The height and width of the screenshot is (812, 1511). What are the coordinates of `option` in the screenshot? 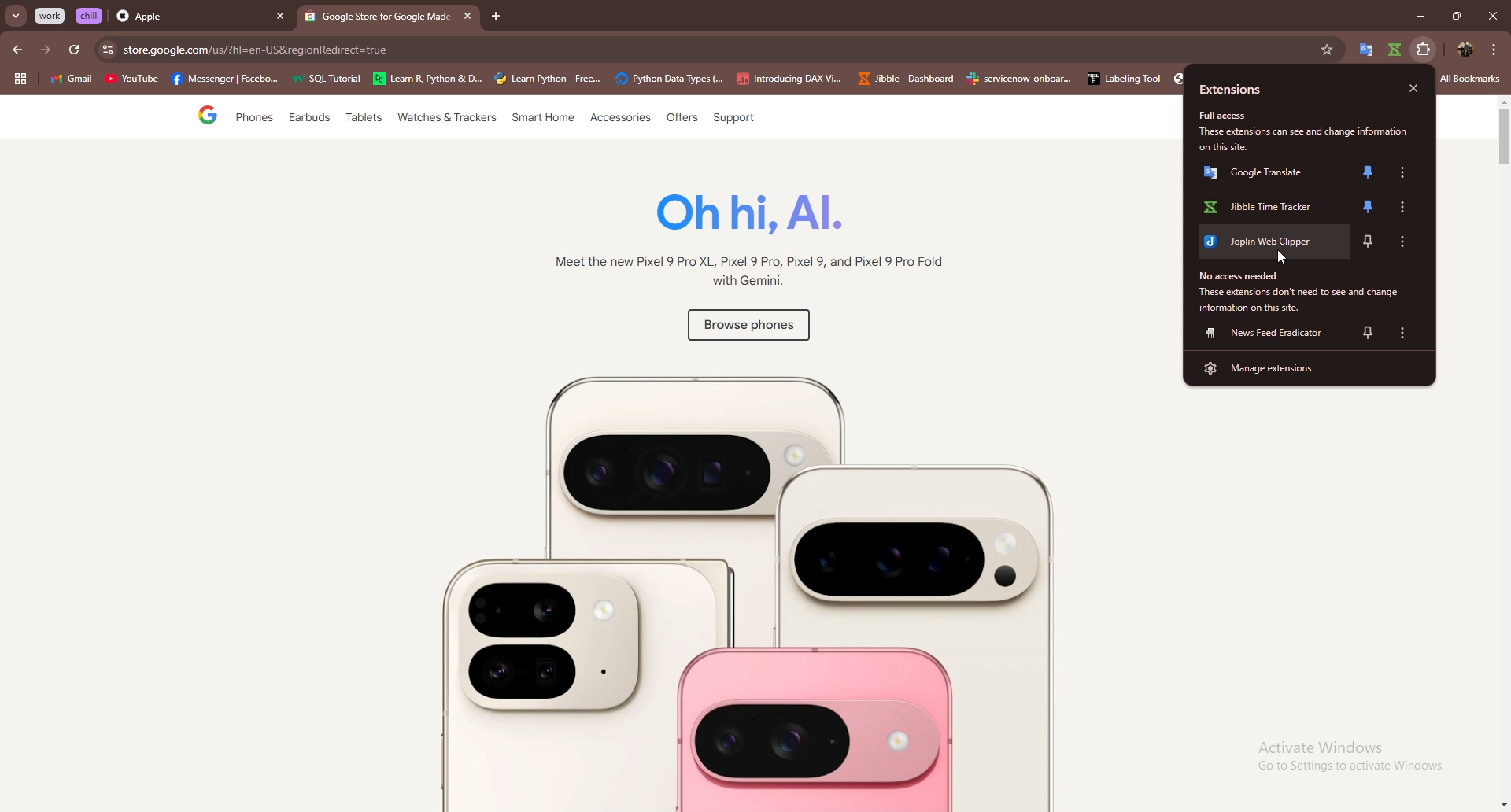 It's located at (1407, 207).